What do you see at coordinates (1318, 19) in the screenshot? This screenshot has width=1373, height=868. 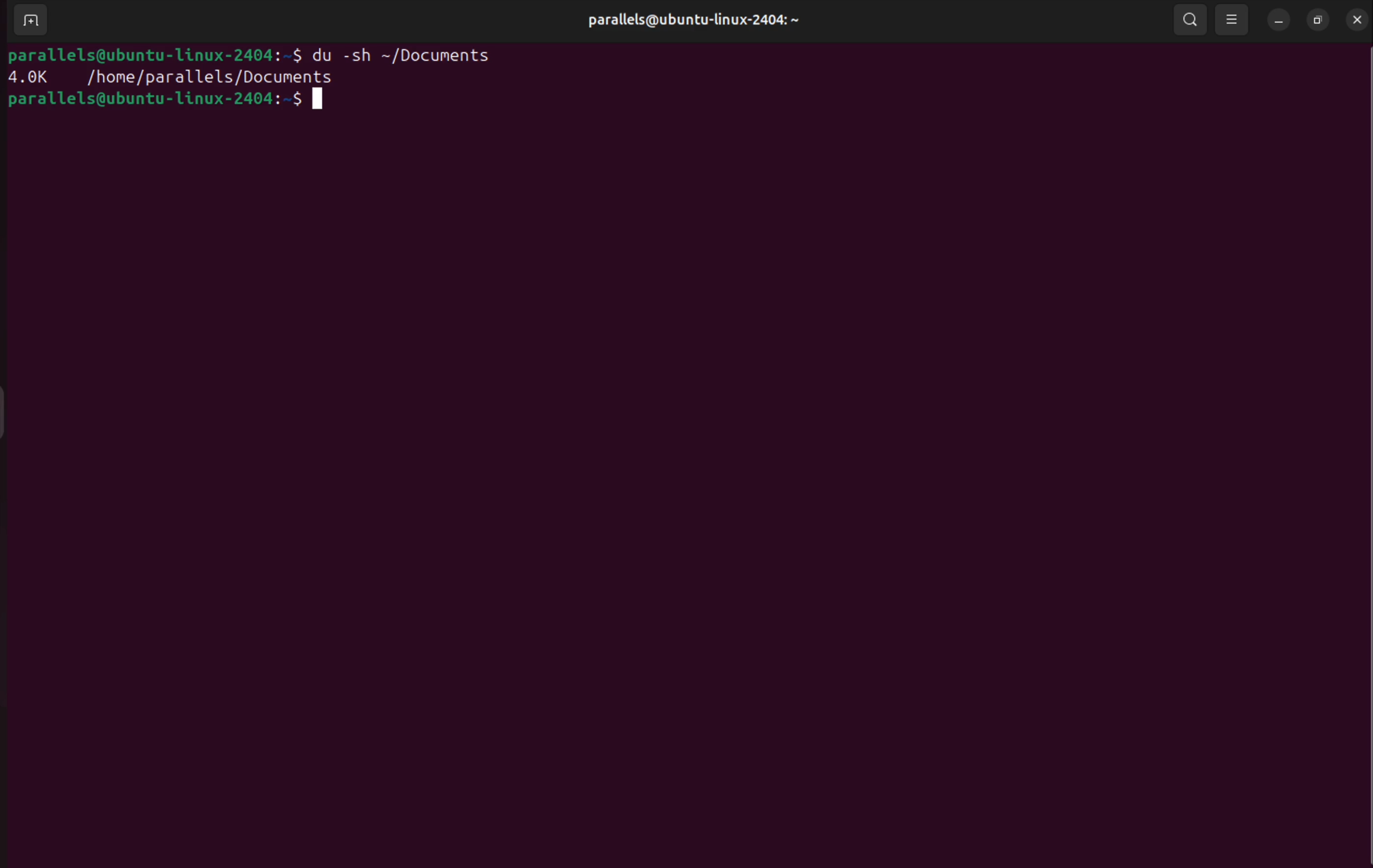 I see `resize` at bounding box center [1318, 19].